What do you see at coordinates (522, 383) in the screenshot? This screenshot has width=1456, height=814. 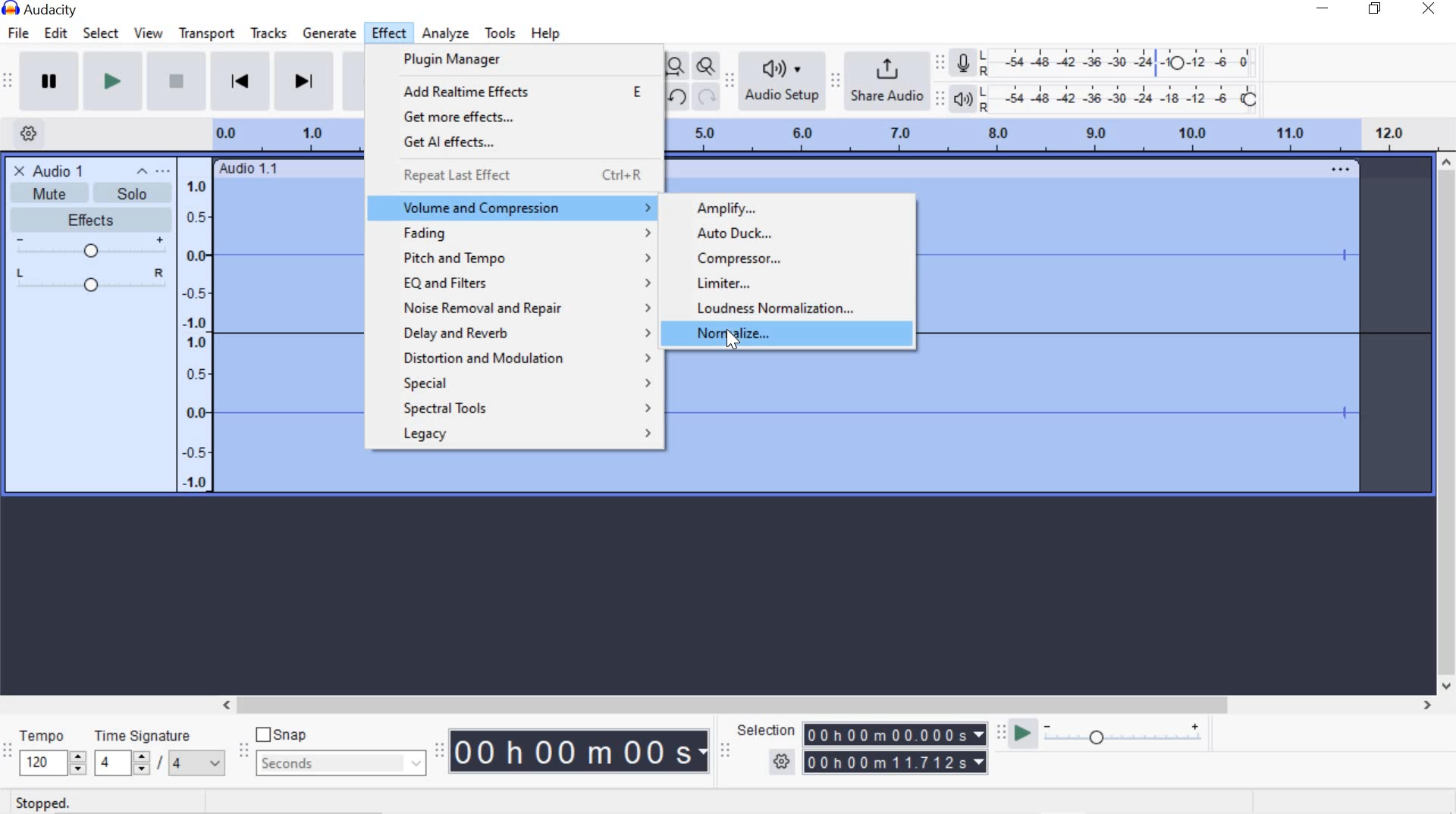 I see `special` at bounding box center [522, 383].